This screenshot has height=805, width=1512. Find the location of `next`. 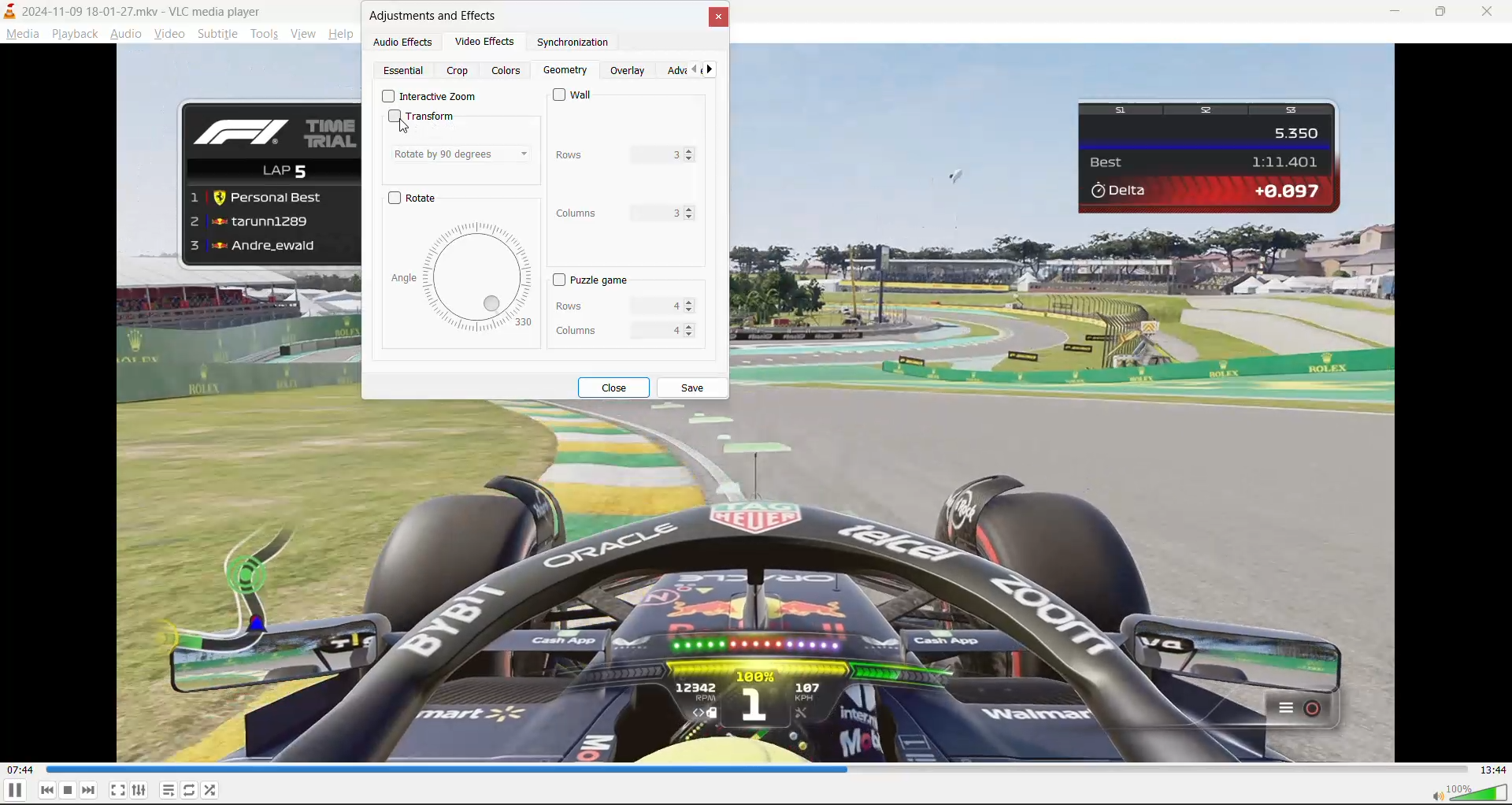

next is located at coordinates (713, 69).